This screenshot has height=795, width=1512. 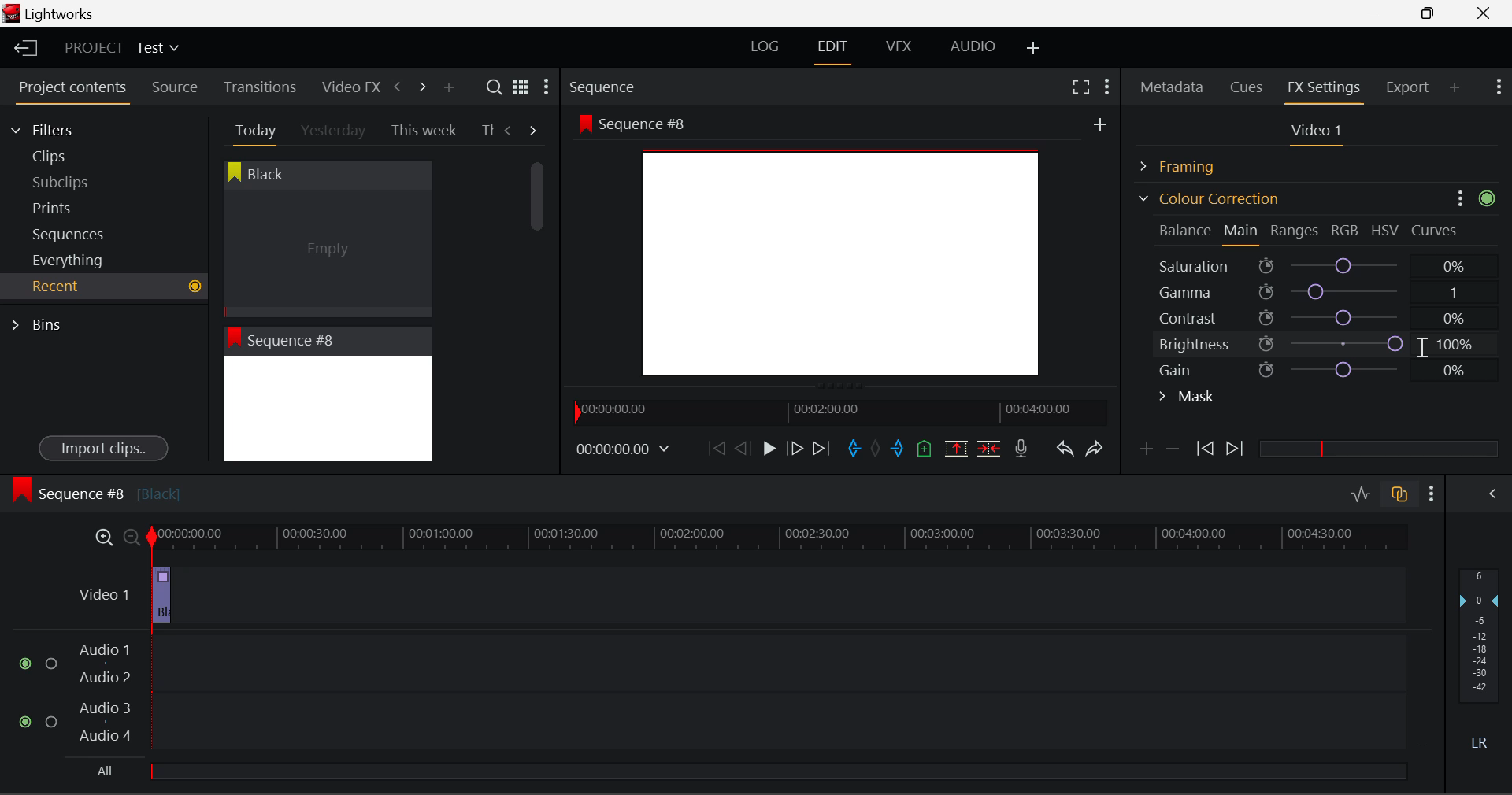 I want to click on All, so click(x=100, y=770).